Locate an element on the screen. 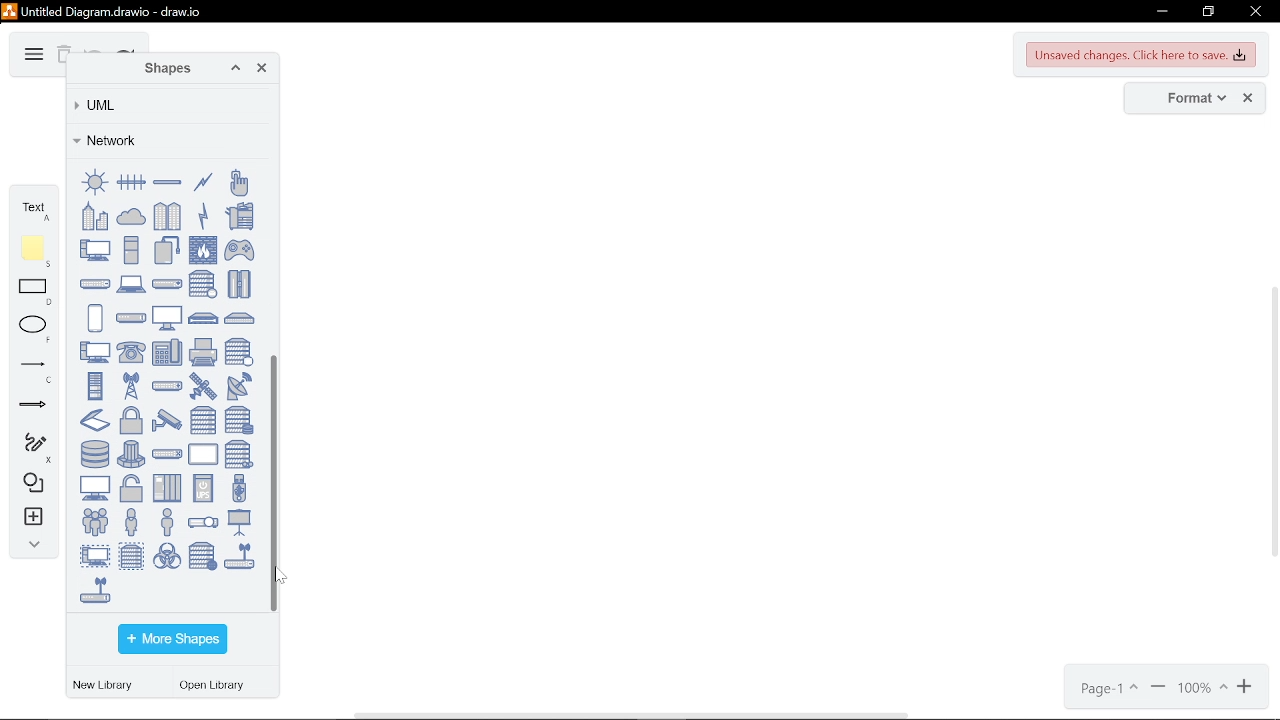 Image resolution: width=1280 pixels, height=720 pixels. UPS enterprise is located at coordinates (167, 488).